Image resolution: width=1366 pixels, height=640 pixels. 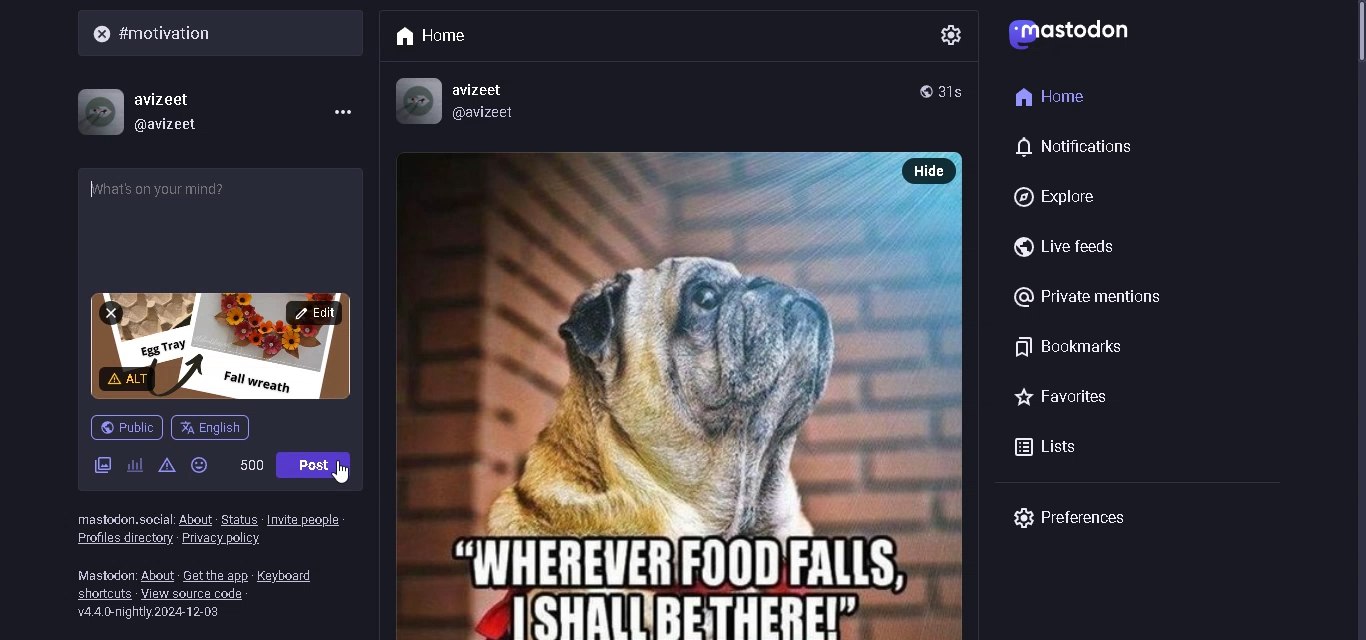 I want to click on version, so click(x=153, y=613).